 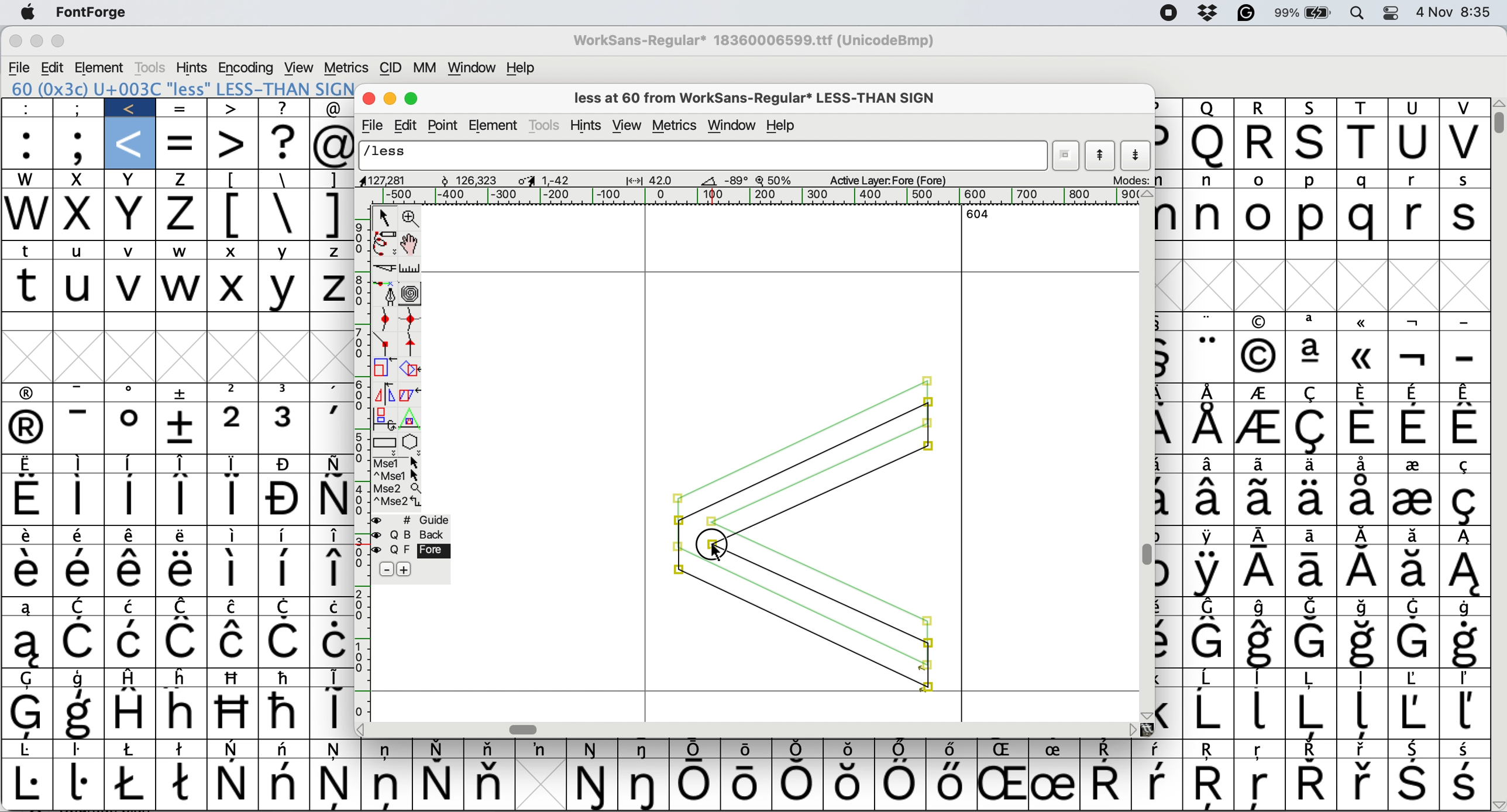 I want to click on w, so click(x=181, y=250).